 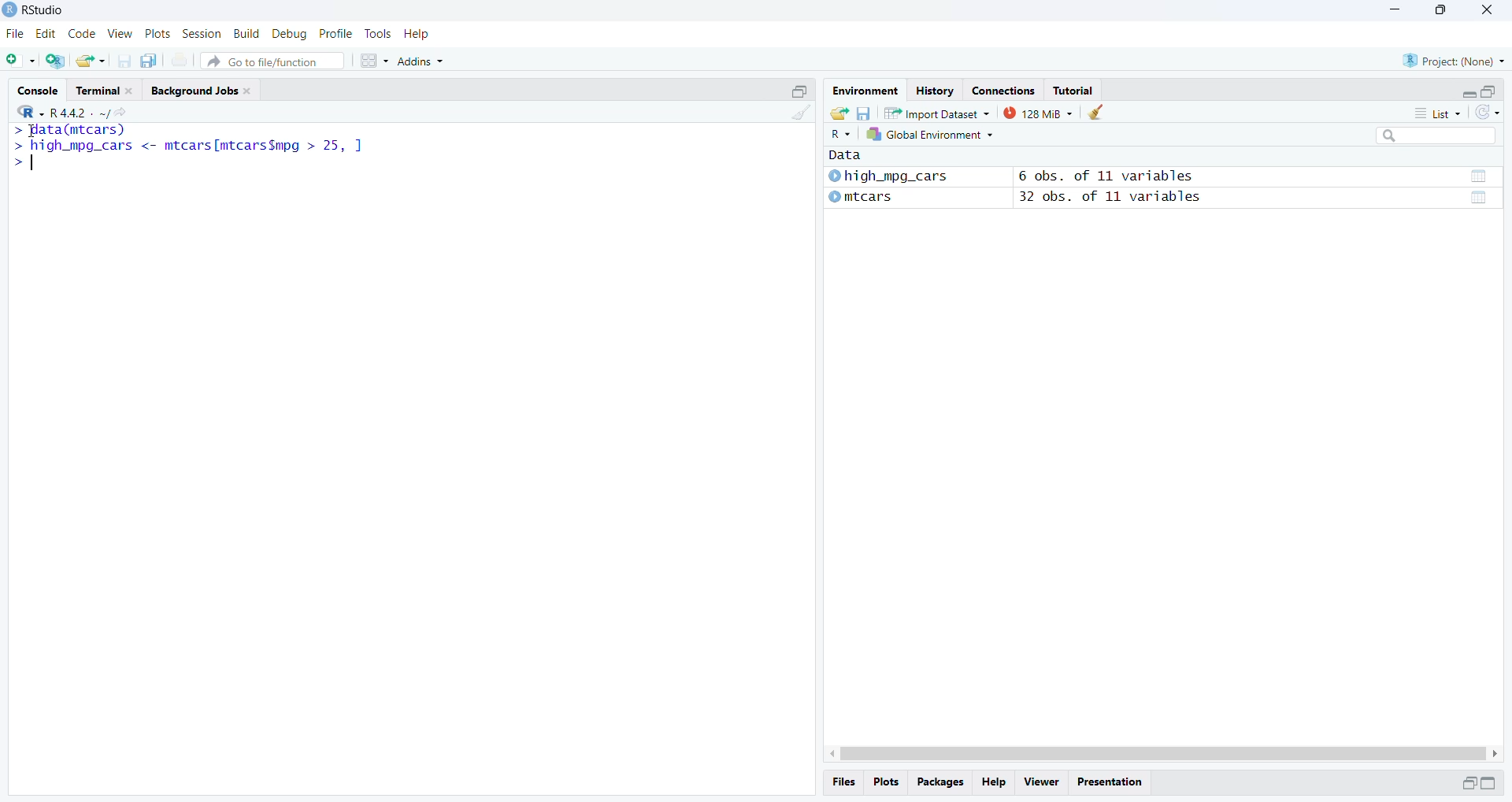 I want to click on Addins, so click(x=421, y=61).